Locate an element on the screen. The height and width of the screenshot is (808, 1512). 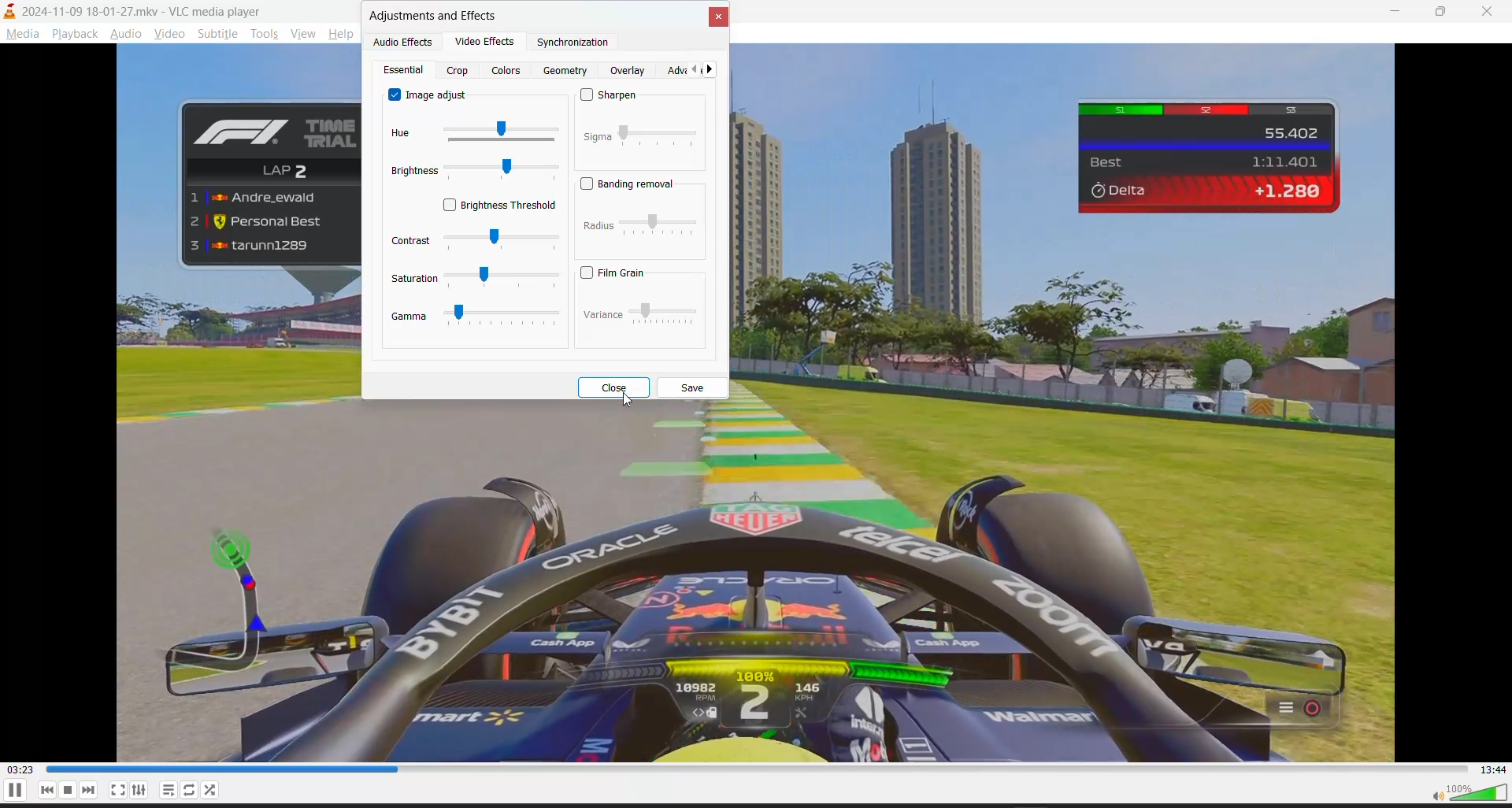
hue slider is located at coordinates (499, 132).